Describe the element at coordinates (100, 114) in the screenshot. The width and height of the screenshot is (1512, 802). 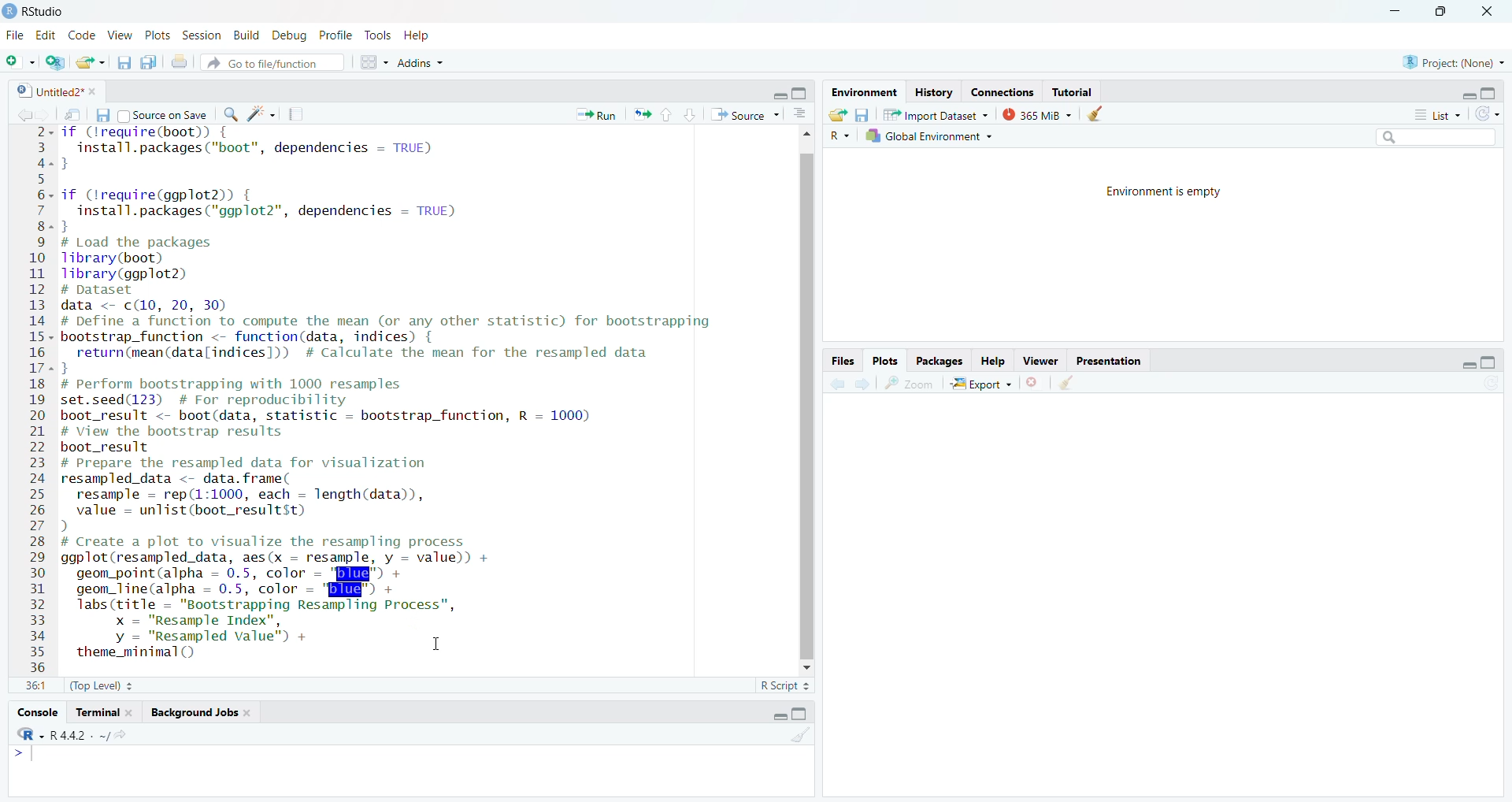
I see `save current document` at that location.